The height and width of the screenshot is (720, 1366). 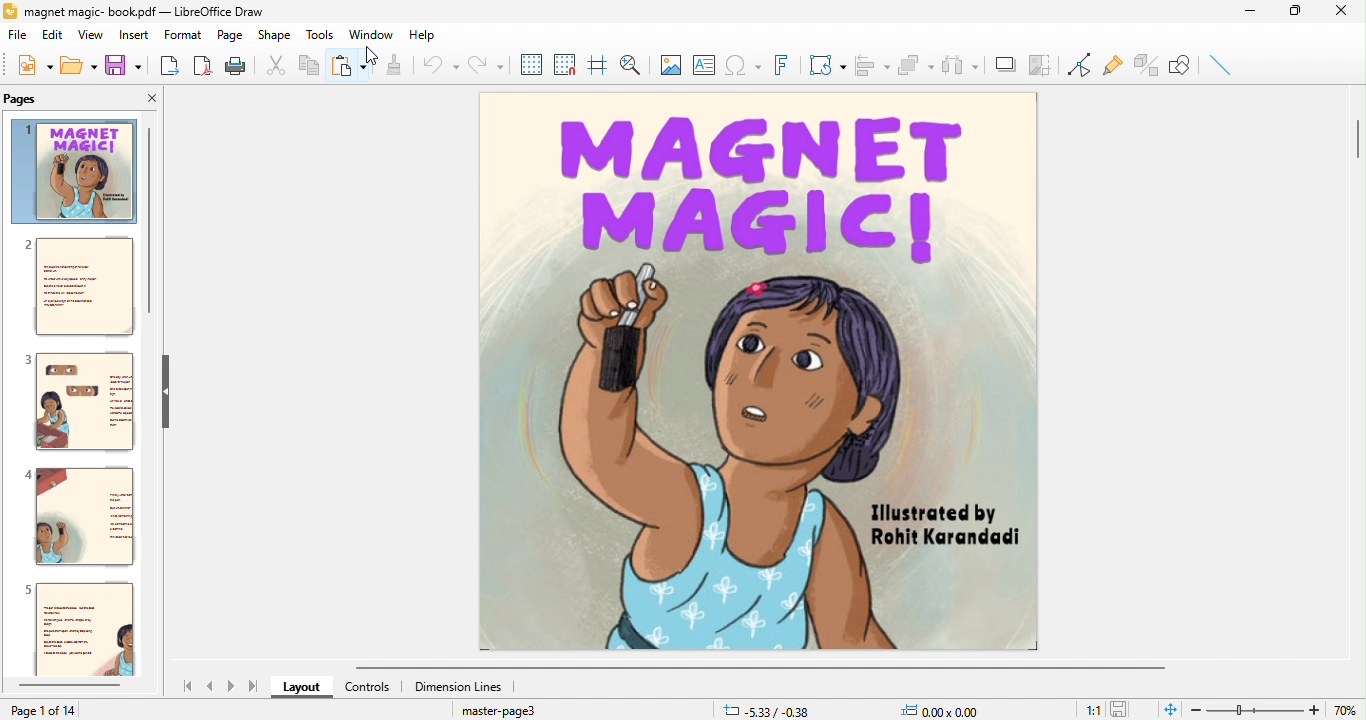 What do you see at coordinates (1079, 67) in the screenshot?
I see `toggle point edit mode` at bounding box center [1079, 67].